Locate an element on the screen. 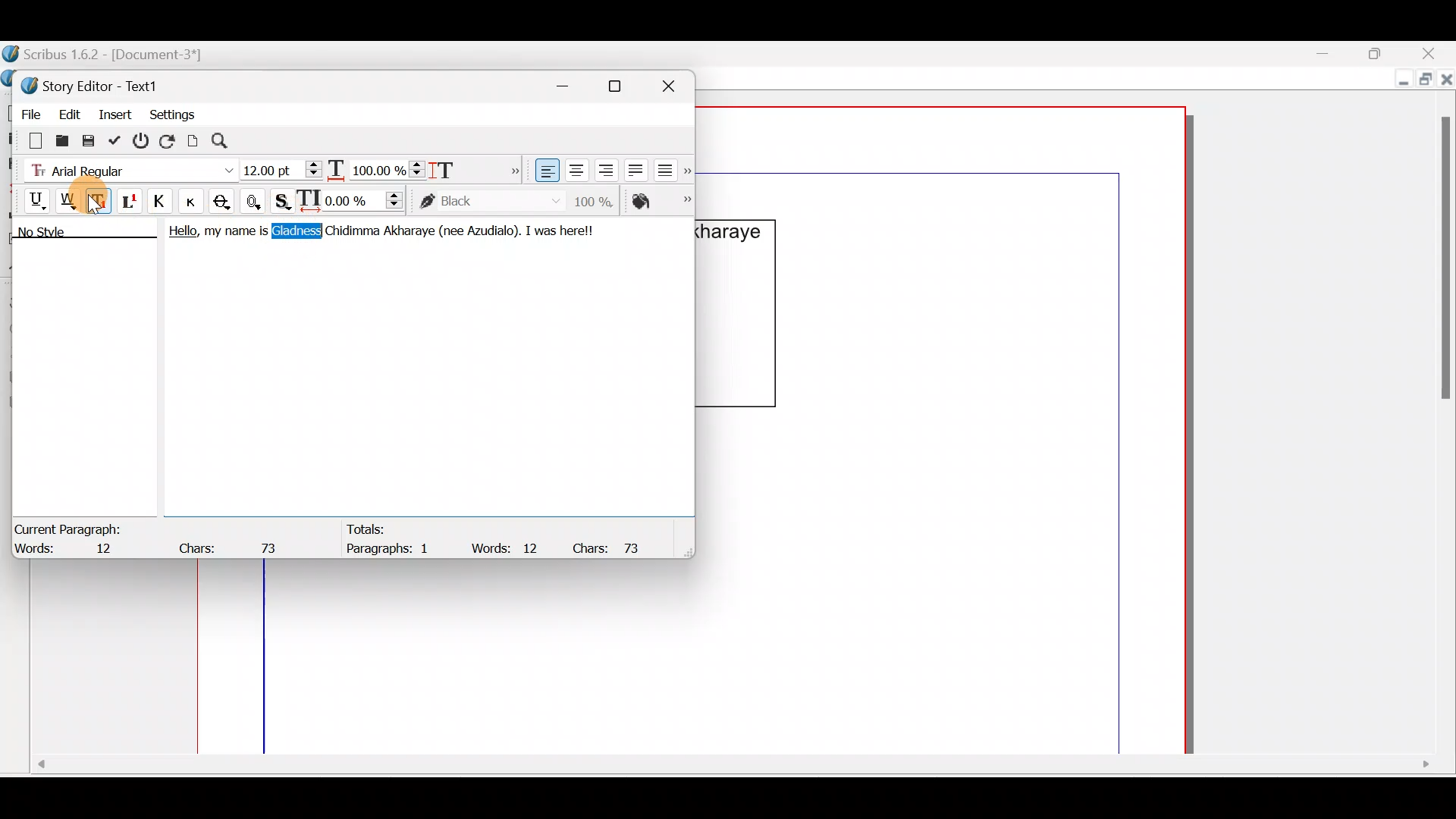  Maximize is located at coordinates (1384, 52).